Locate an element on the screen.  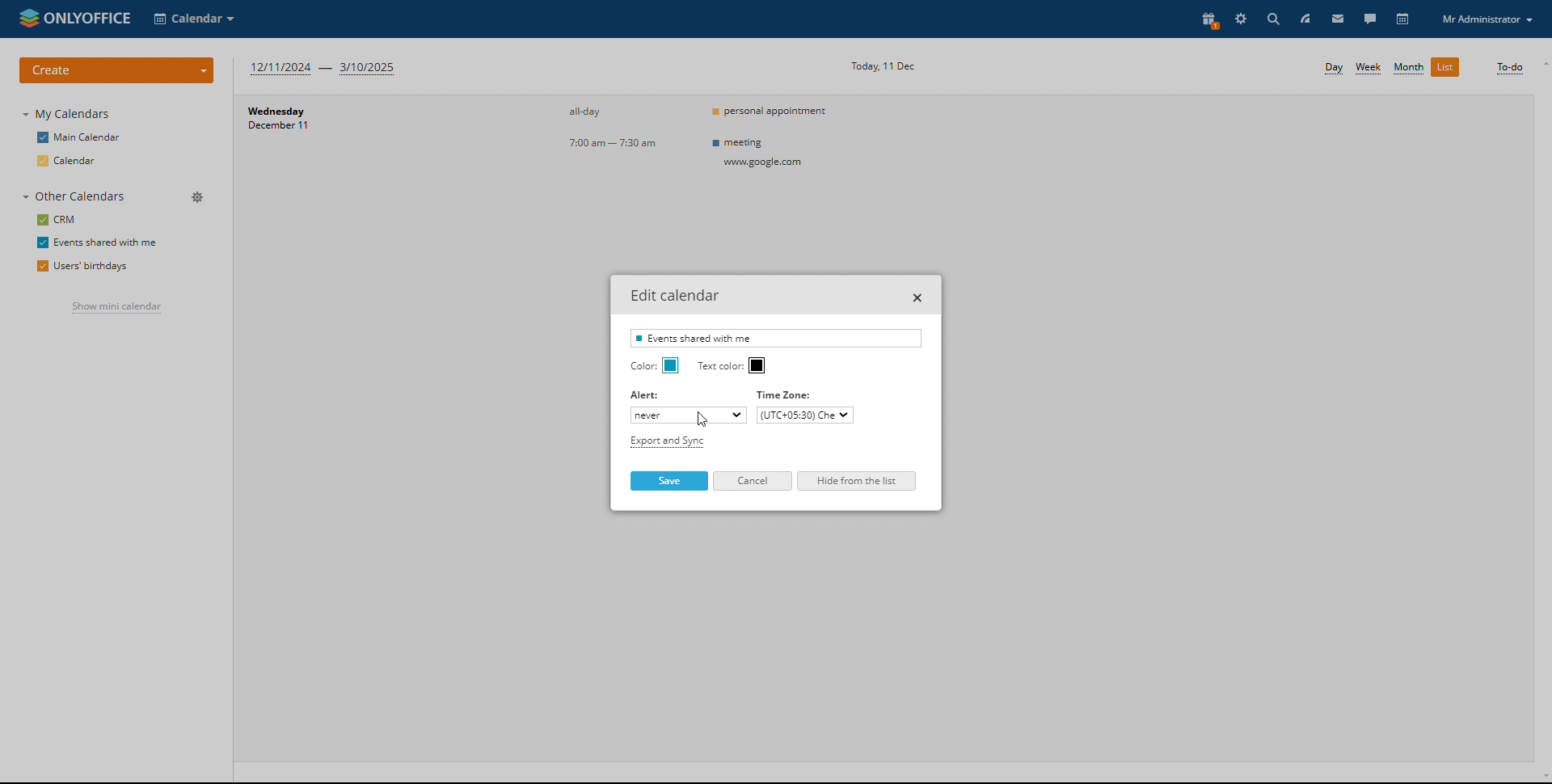
list view is located at coordinates (1445, 66).